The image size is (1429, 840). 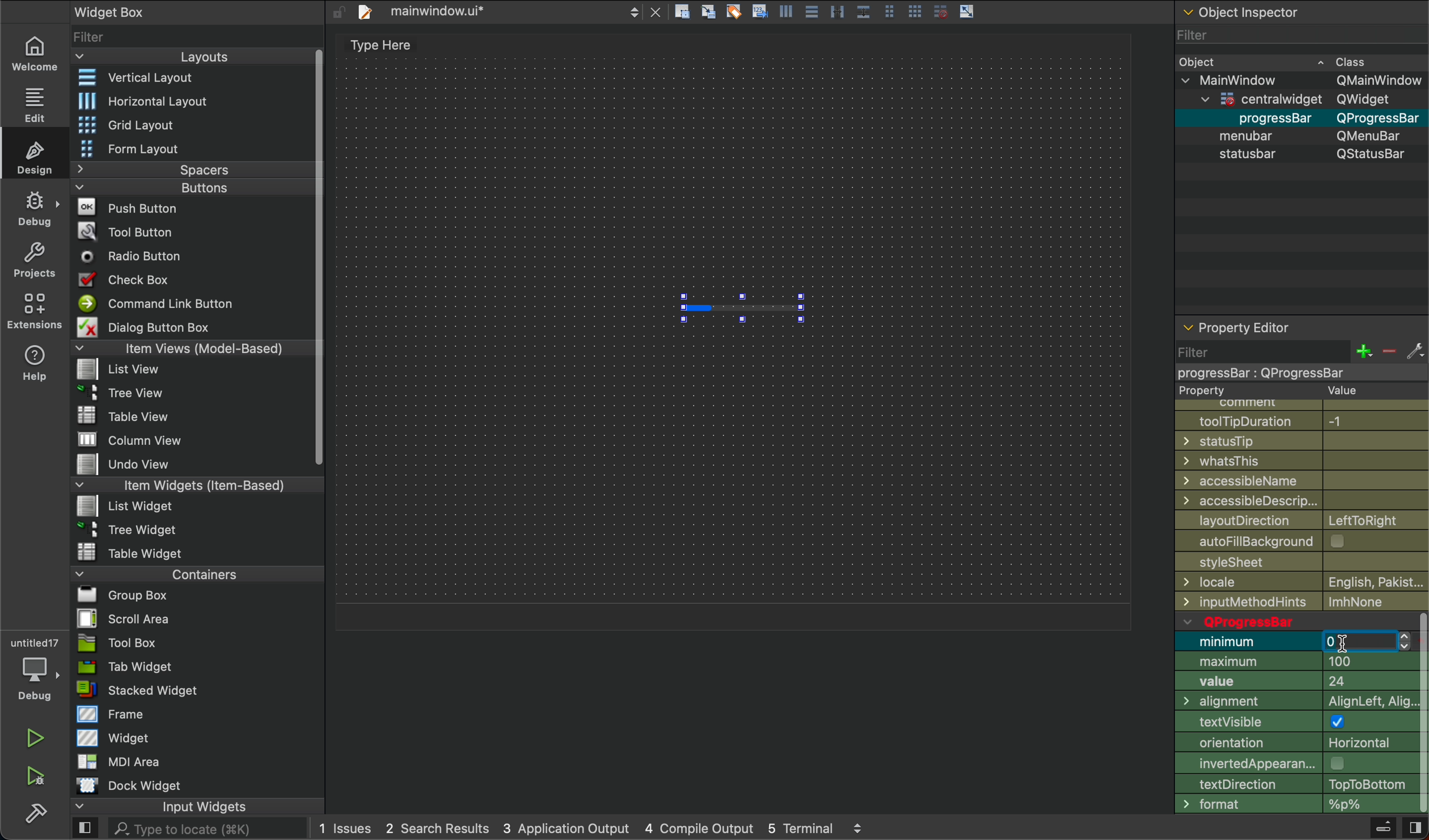 What do you see at coordinates (133, 440) in the screenshot?
I see `File` at bounding box center [133, 440].